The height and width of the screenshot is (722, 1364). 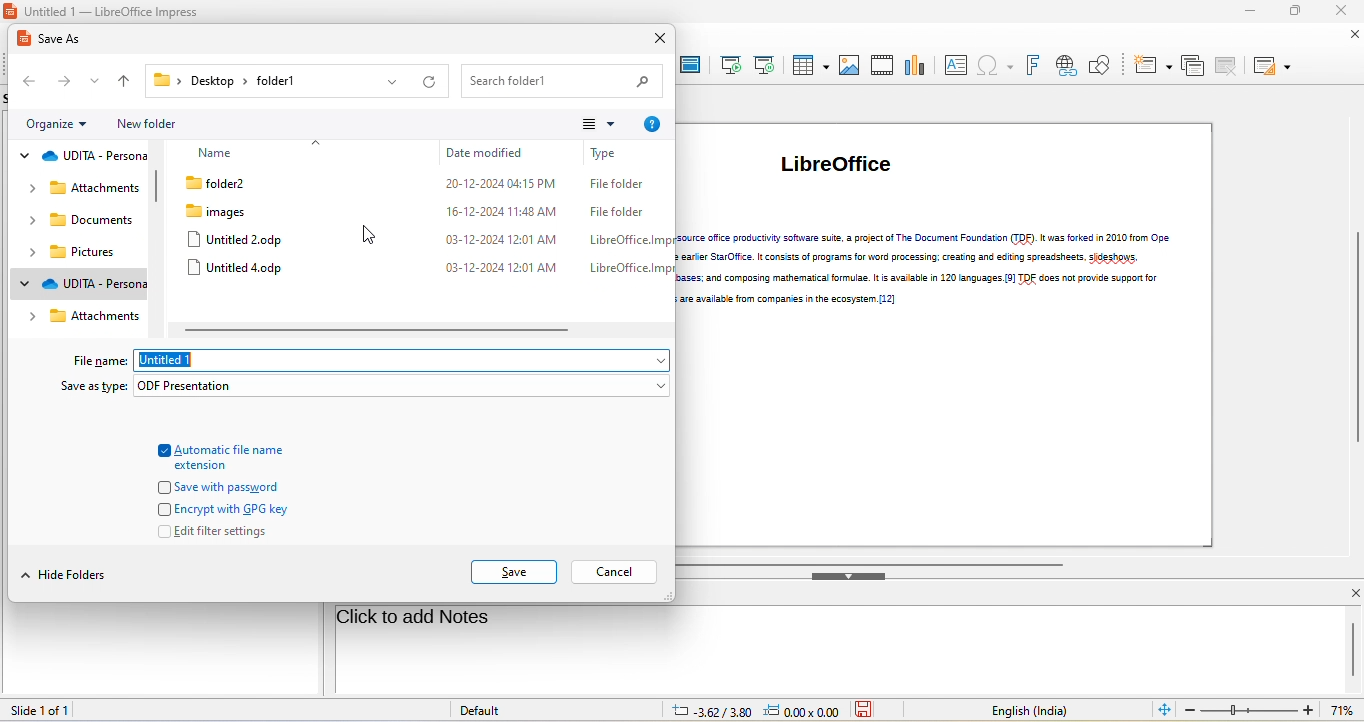 What do you see at coordinates (1299, 12) in the screenshot?
I see `maximize` at bounding box center [1299, 12].